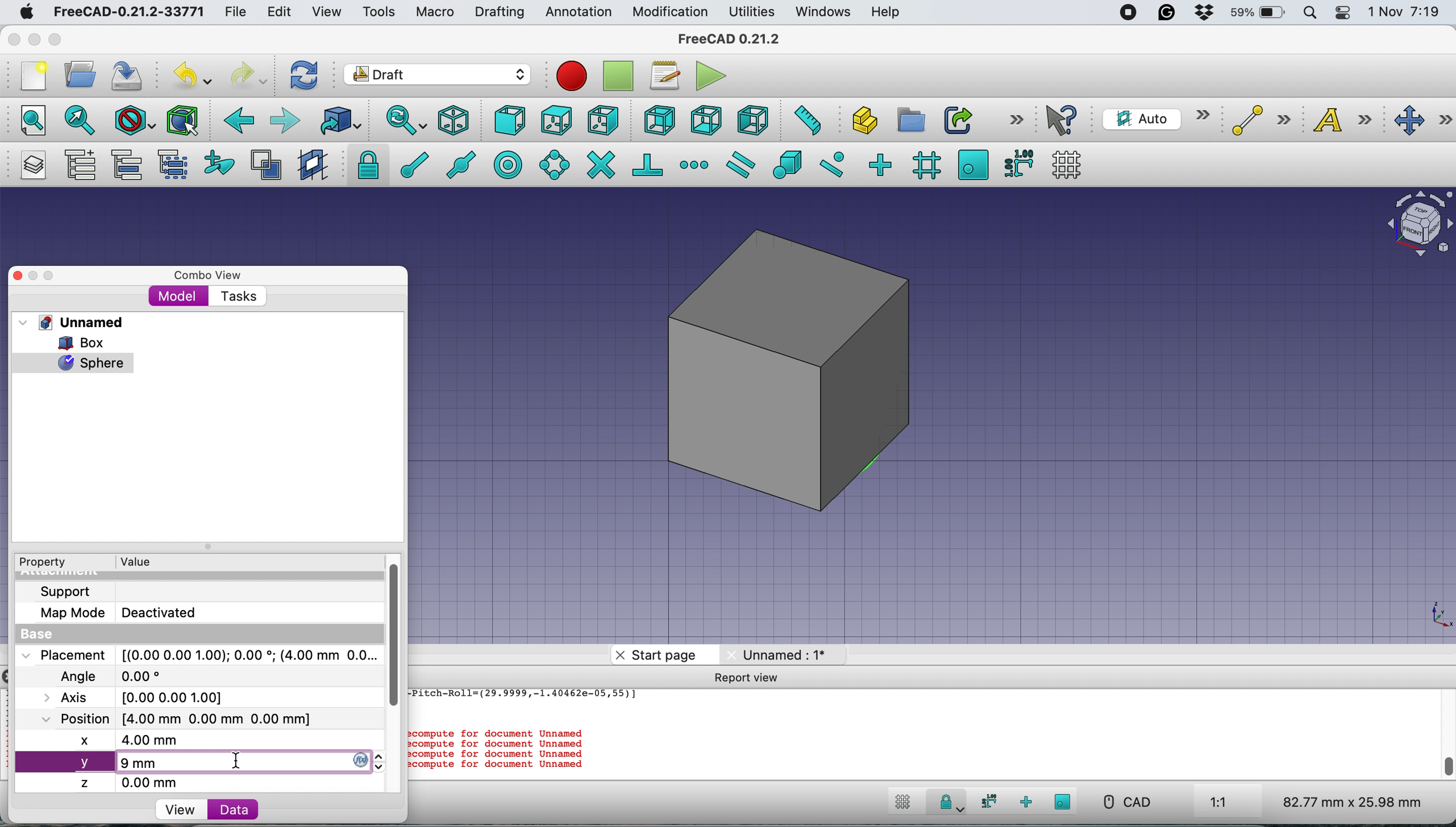 The height and width of the screenshot is (827, 1456). What do you see at coordinates (832, 163) in the screenshot?
I see `snap near` at bounding box center [832, 163].